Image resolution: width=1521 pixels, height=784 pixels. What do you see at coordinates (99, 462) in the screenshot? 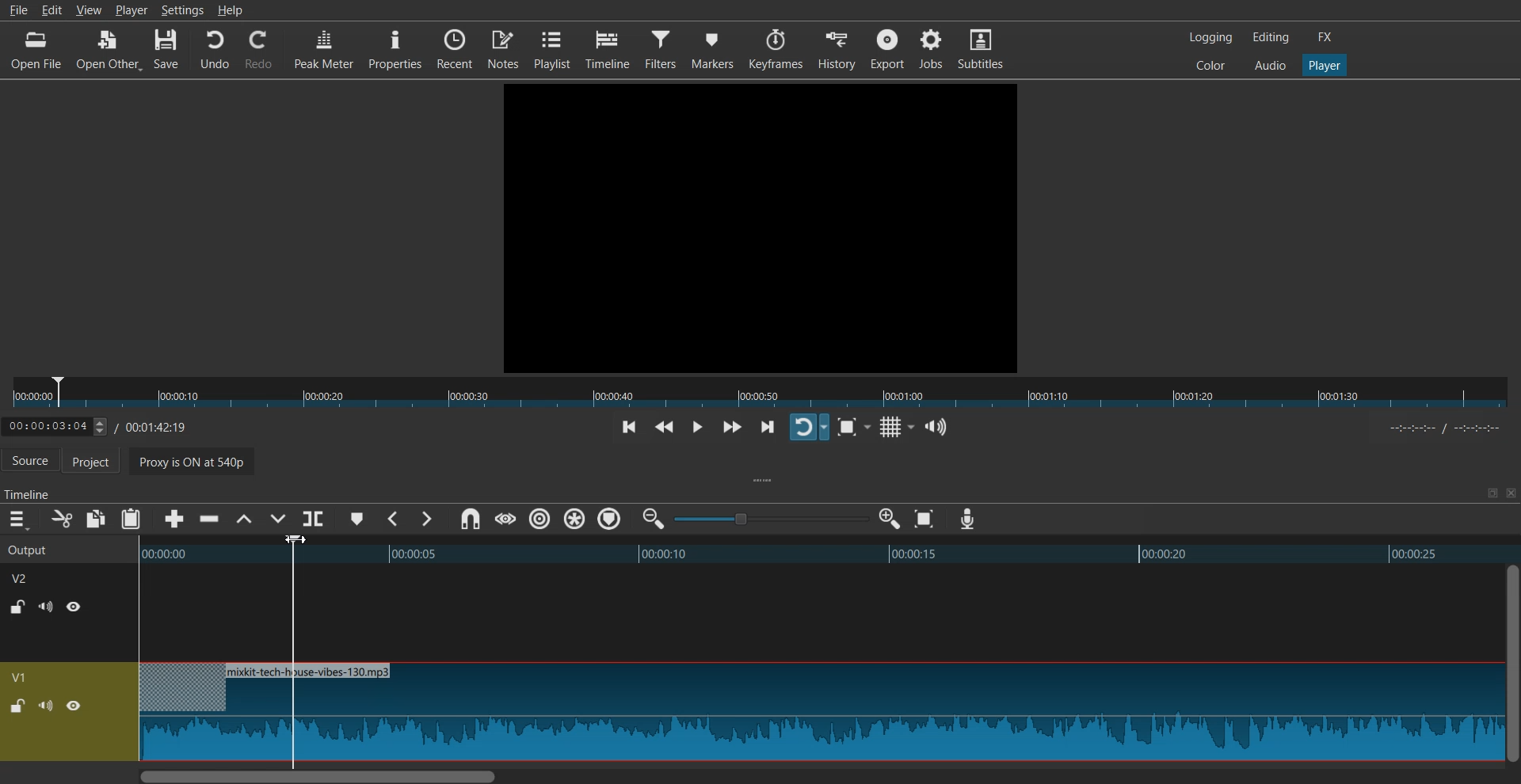
I see `Project` at bounding box center [99, 462].